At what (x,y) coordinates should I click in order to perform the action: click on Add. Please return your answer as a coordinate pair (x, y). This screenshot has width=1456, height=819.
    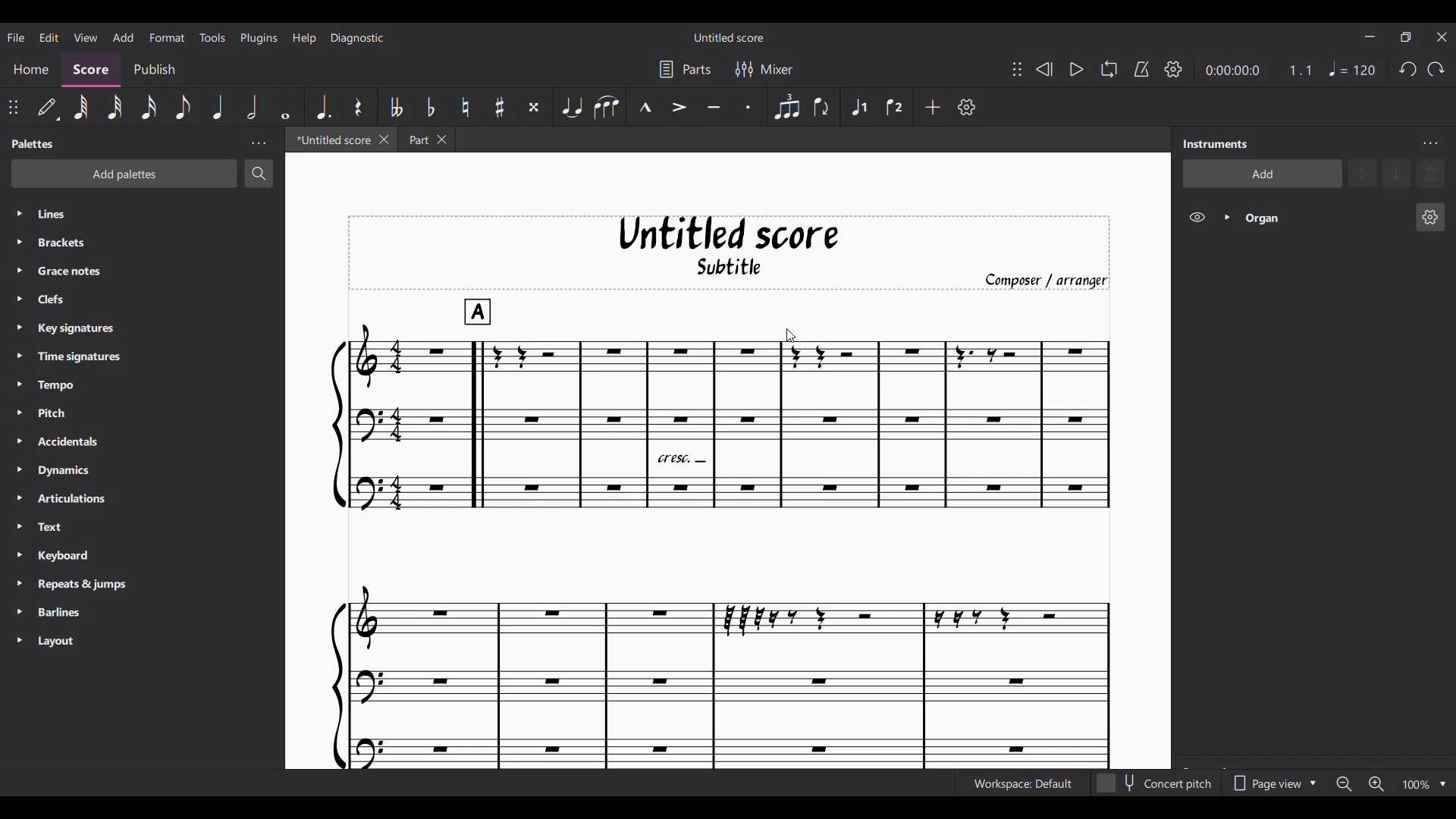
    Looking at the image, I should click on (933, 107).